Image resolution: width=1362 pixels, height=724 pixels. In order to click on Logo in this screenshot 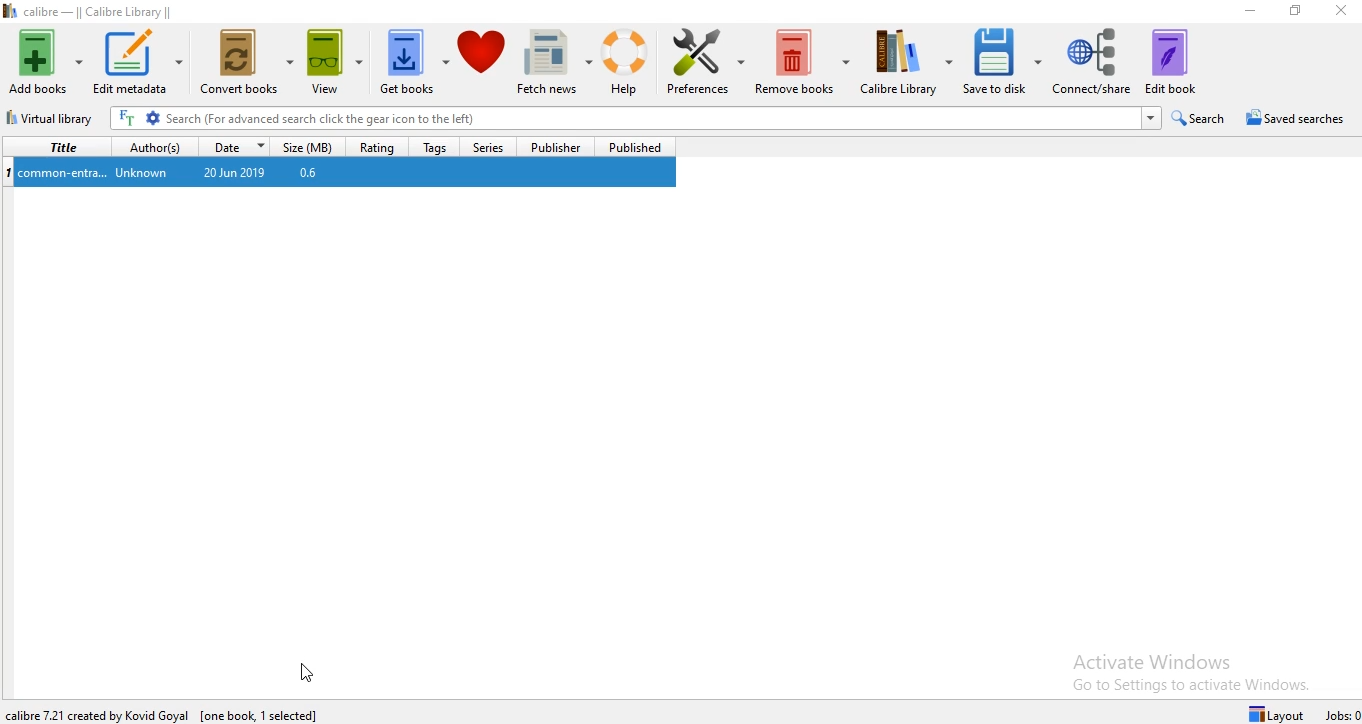, I will do `click(9, 13)`.